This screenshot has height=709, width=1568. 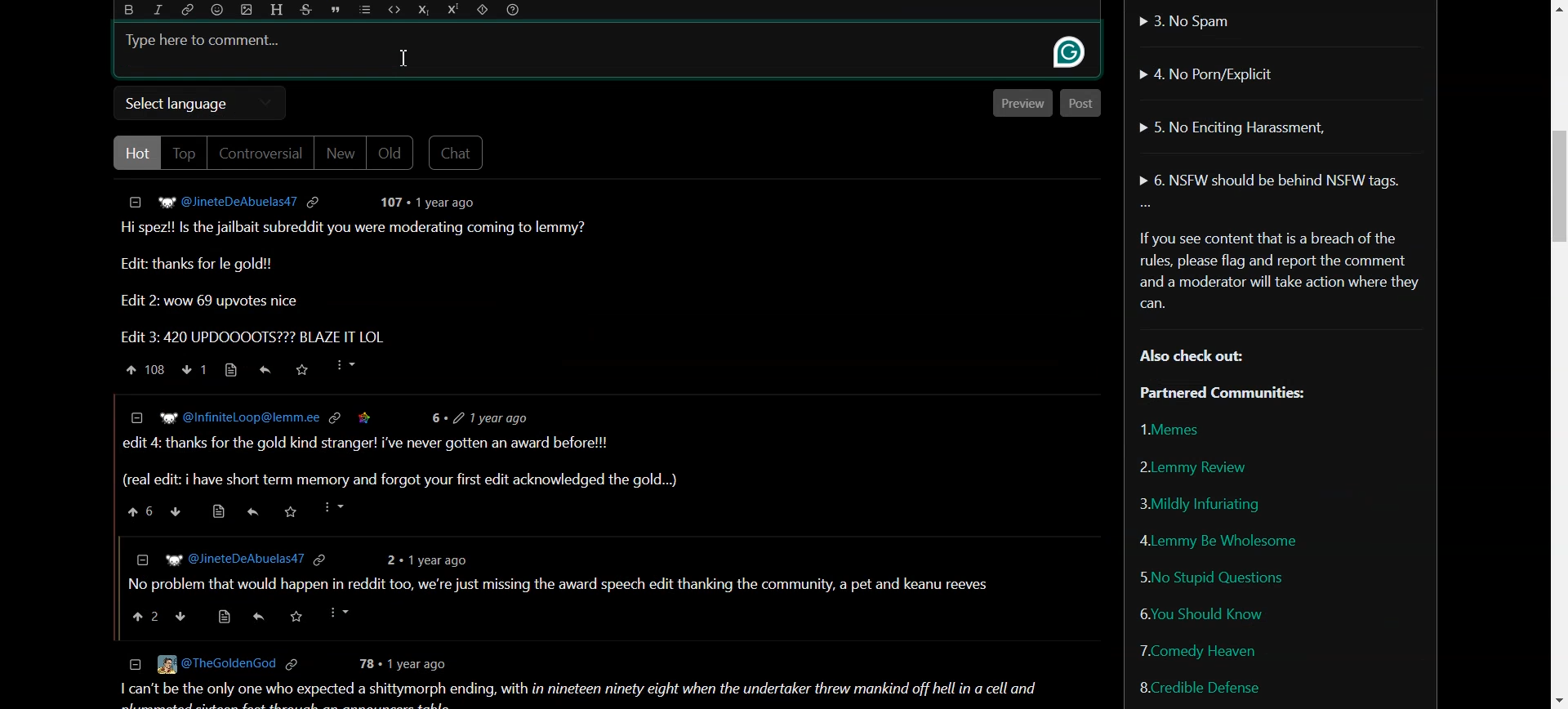 I want to click on You Should Know, so click(x=1202, y=613).